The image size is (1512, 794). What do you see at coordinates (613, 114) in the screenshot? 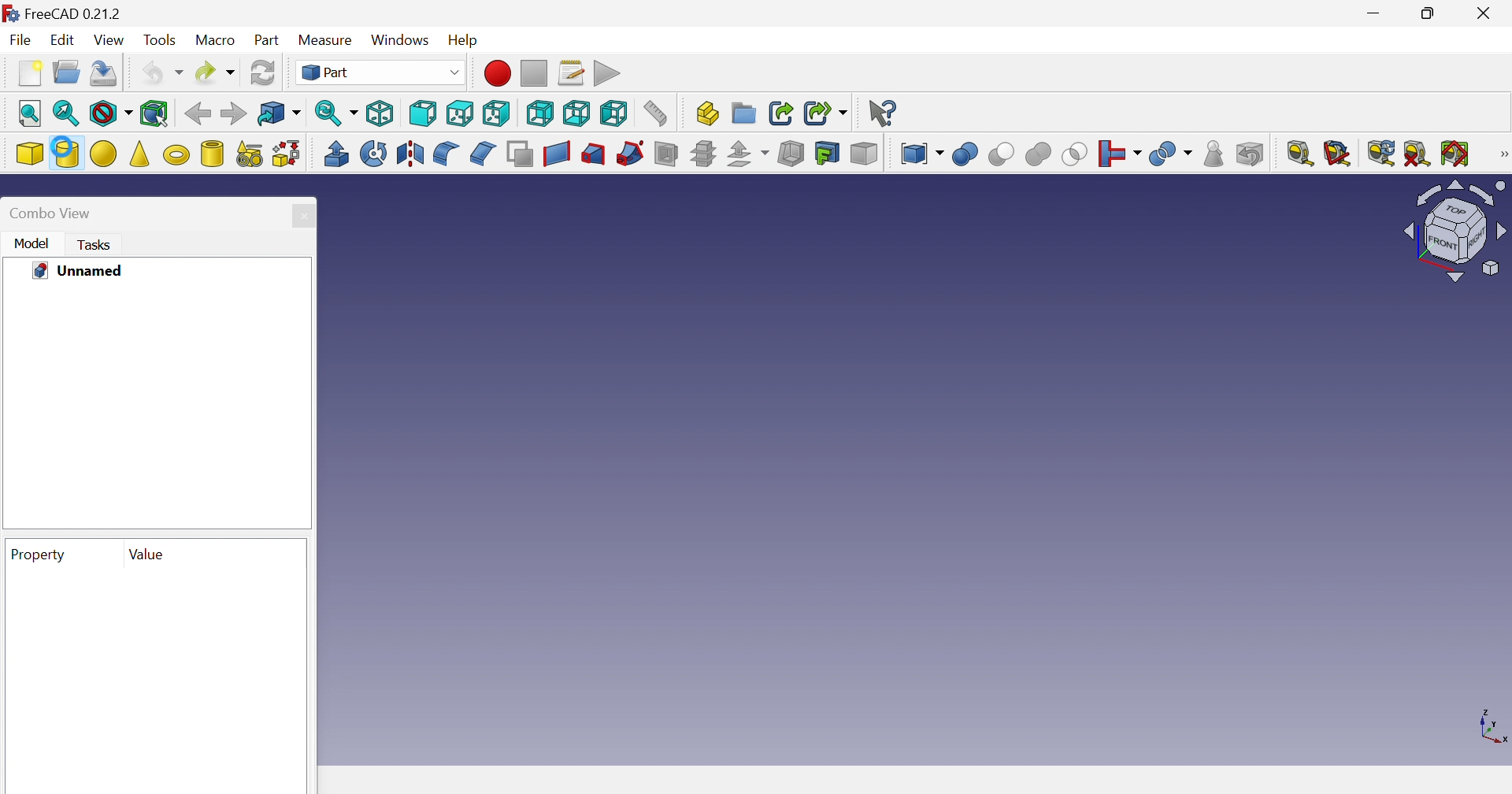
I see `Left` at bounding box center [613, 114].